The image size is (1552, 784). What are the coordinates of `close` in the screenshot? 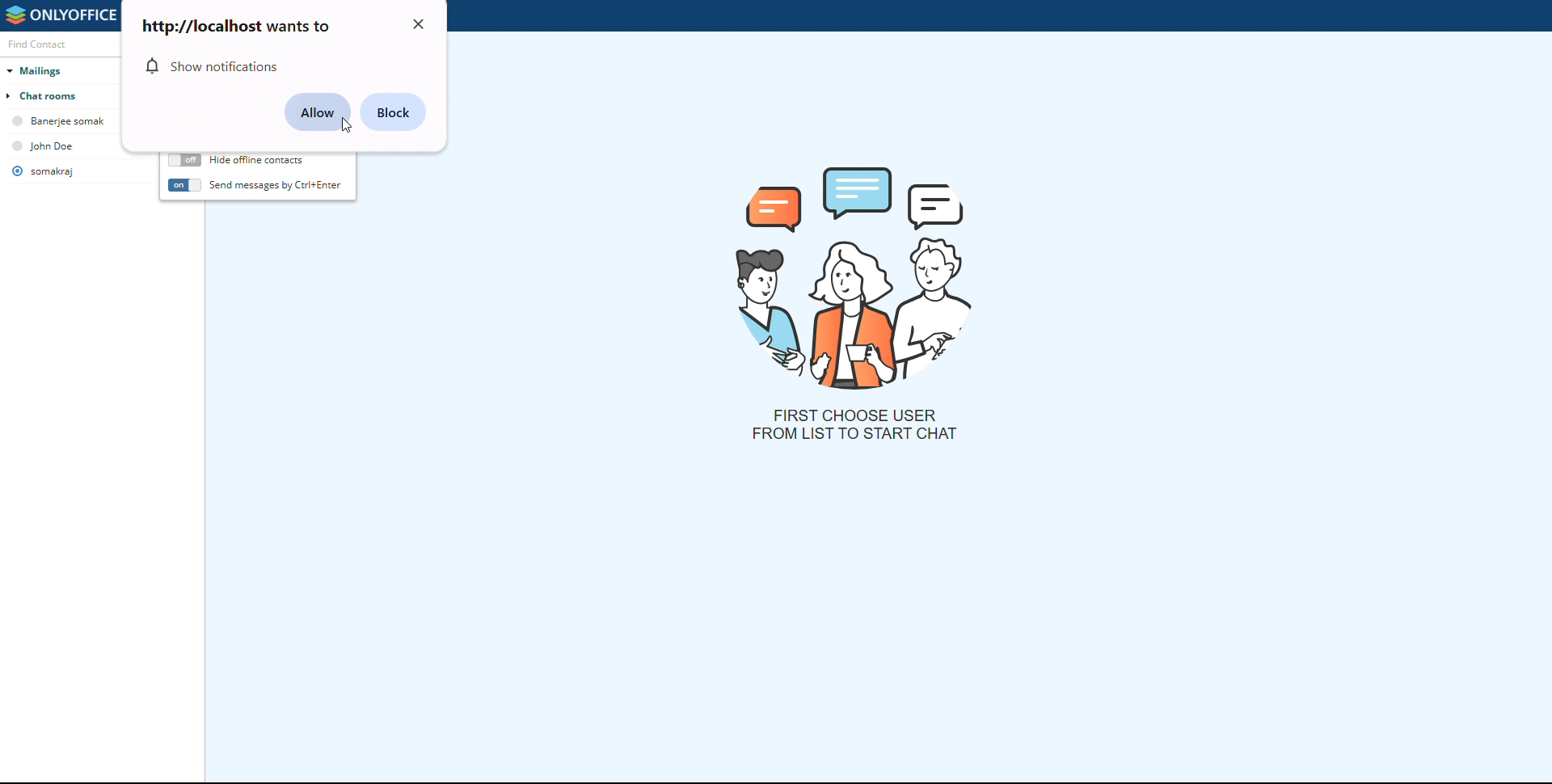 It's located at (420, 24).